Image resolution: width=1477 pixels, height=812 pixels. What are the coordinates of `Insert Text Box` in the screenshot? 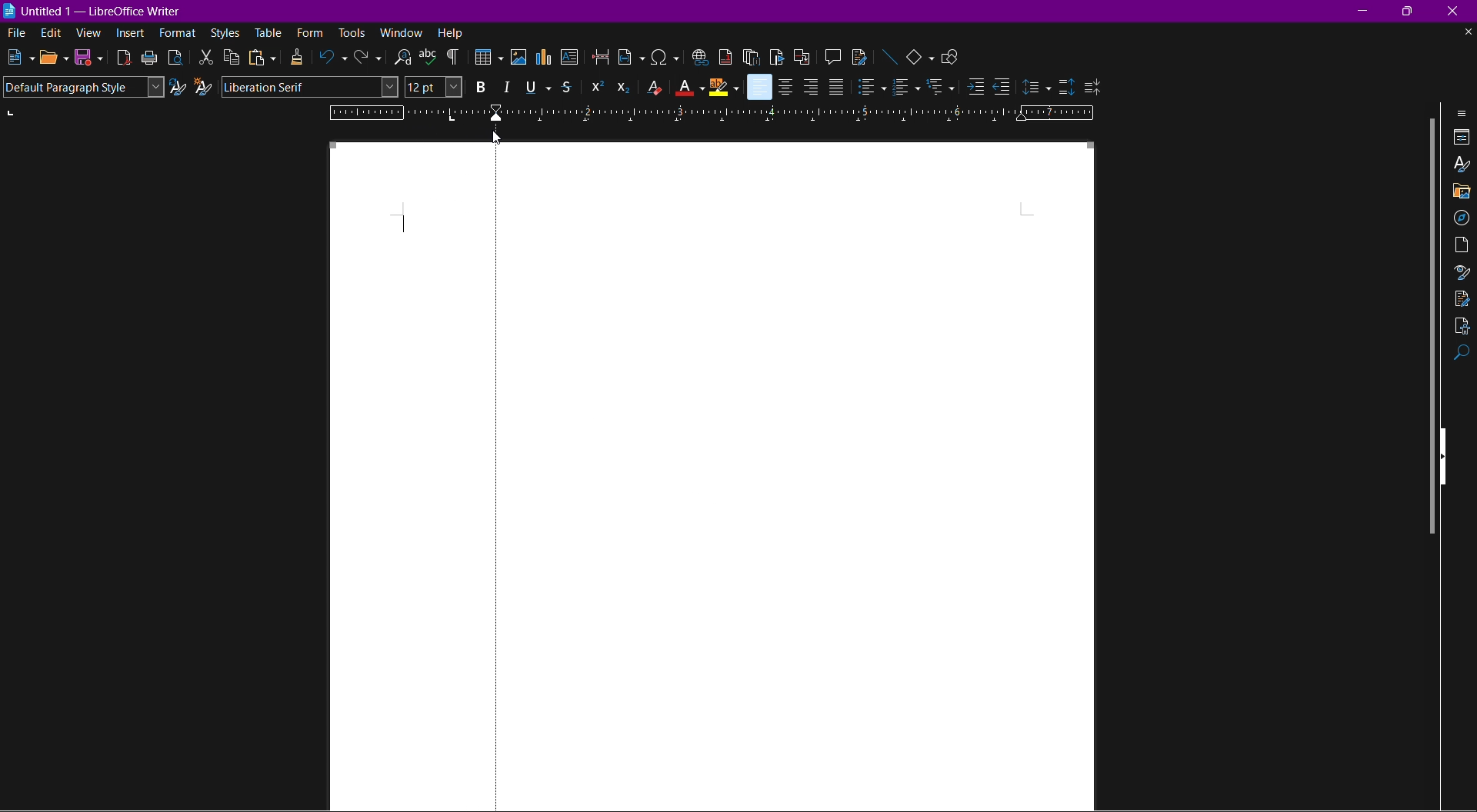 It's located at (571, 59).